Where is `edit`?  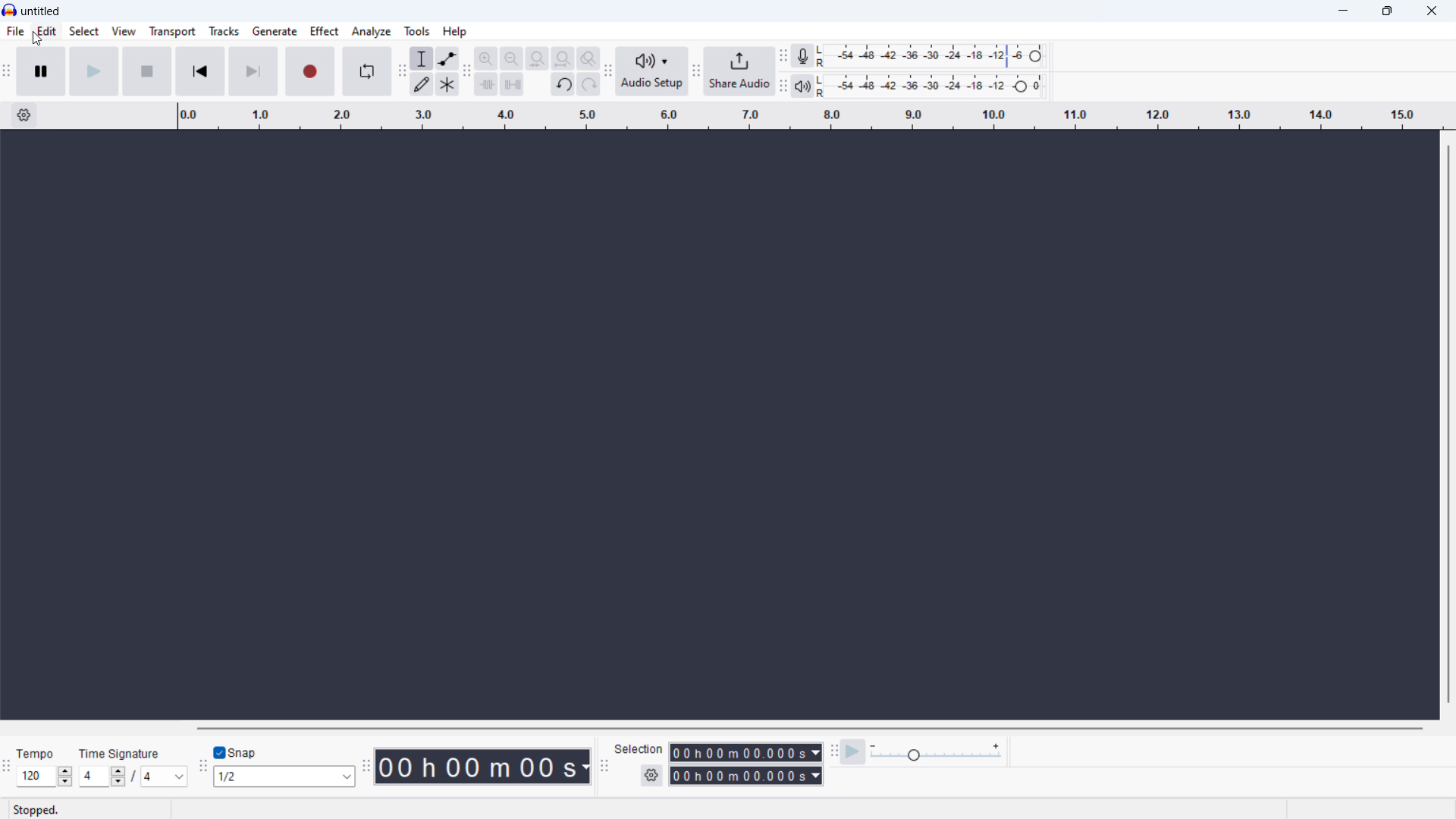 edit is located at coordinates (48, 32).